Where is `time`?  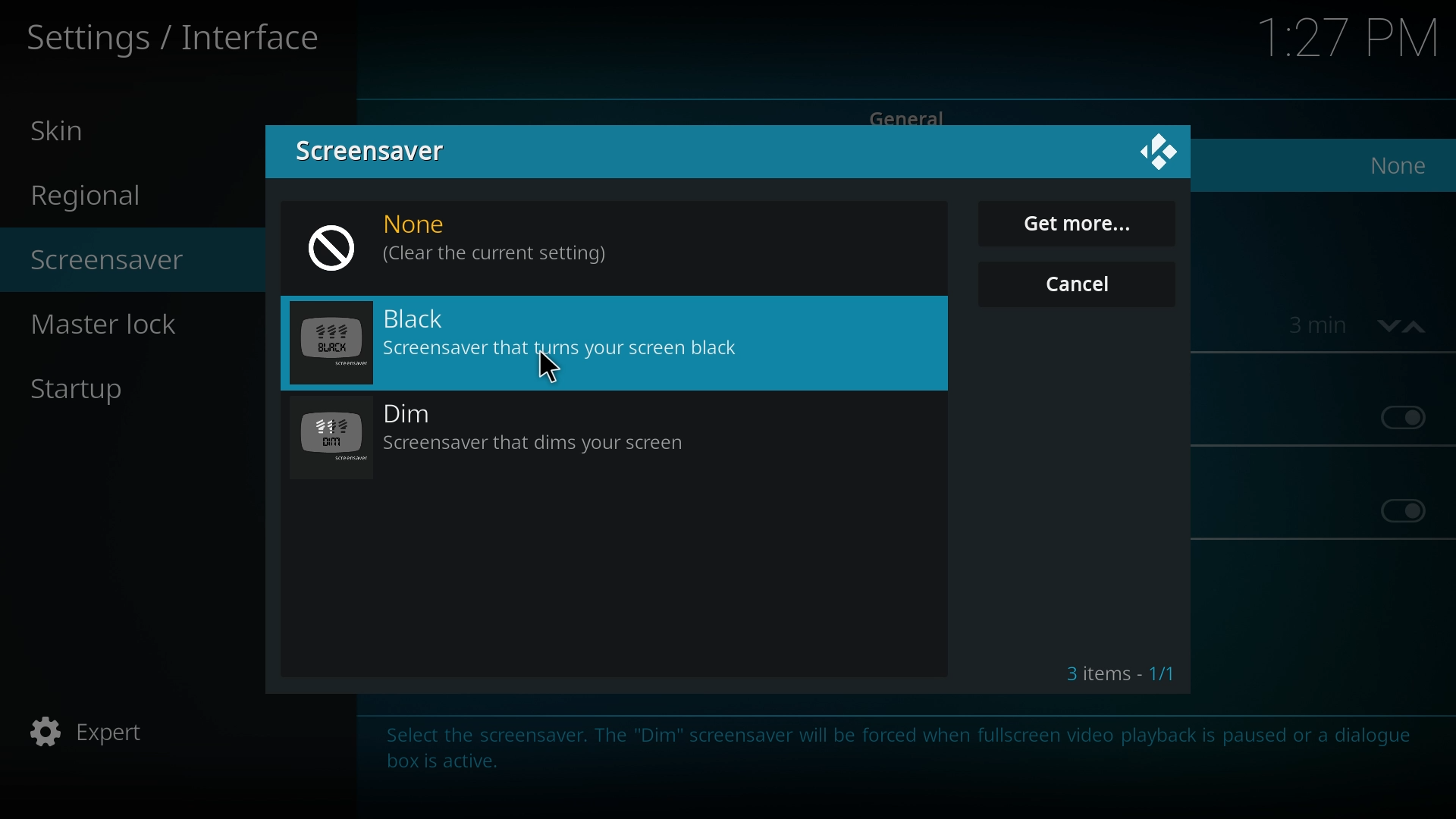
time is located at coordinates (1348, 49).